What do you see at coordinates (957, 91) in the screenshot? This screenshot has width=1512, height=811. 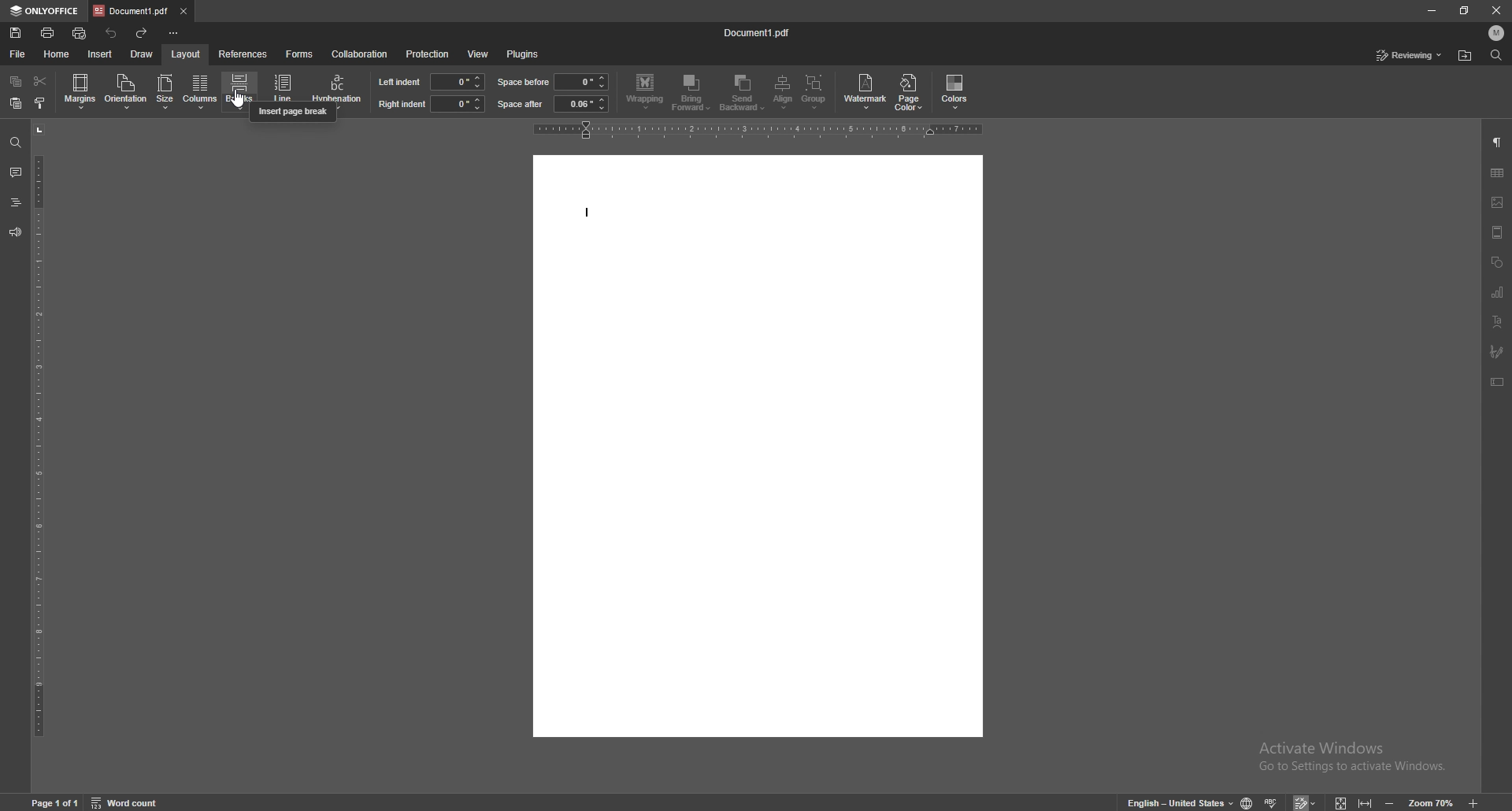 I see `colors` at bounding box center [957, 91].